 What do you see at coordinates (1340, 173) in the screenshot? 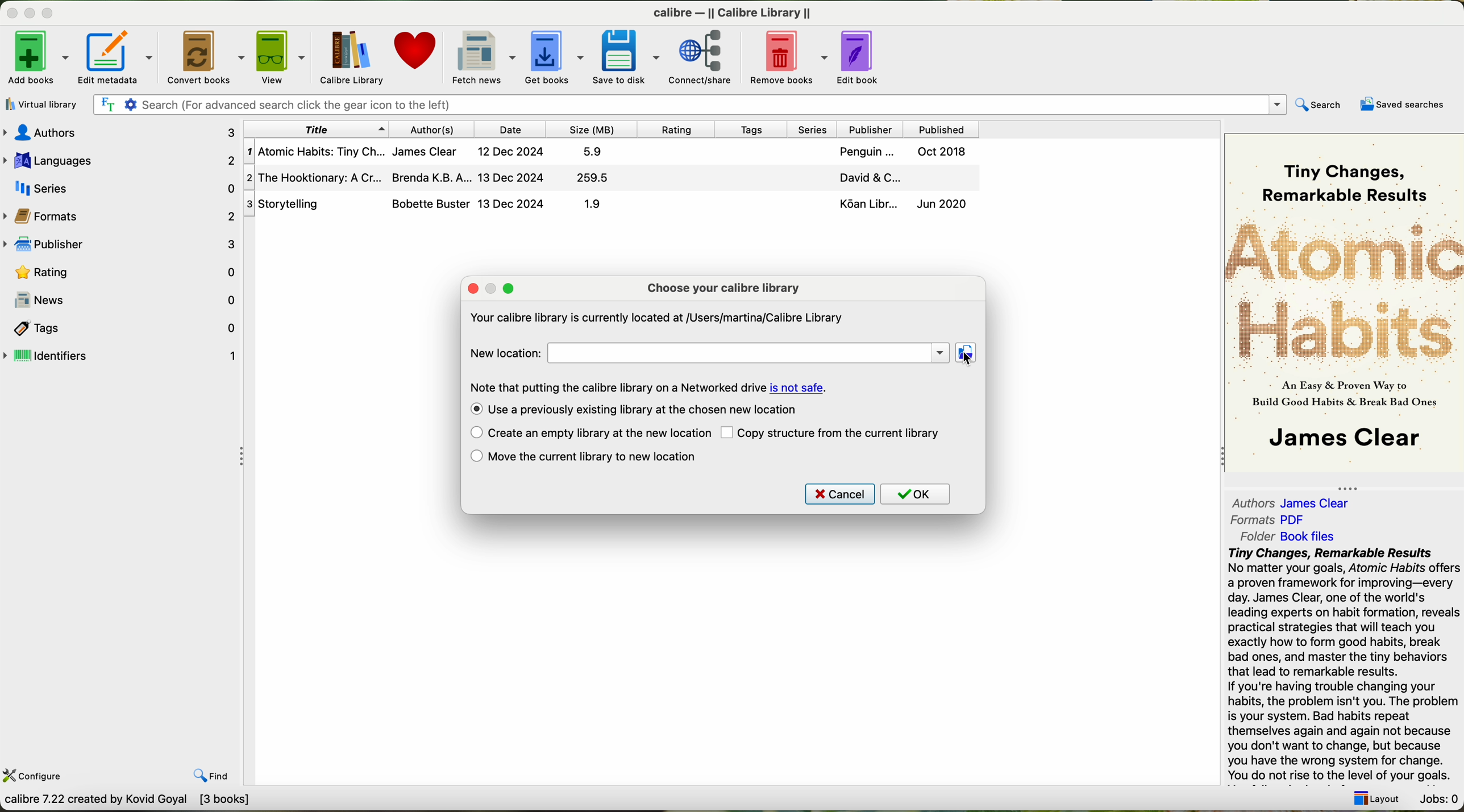
I see `Tiny Changes,
Remarkable Results` at bounding box center [1340, 173].